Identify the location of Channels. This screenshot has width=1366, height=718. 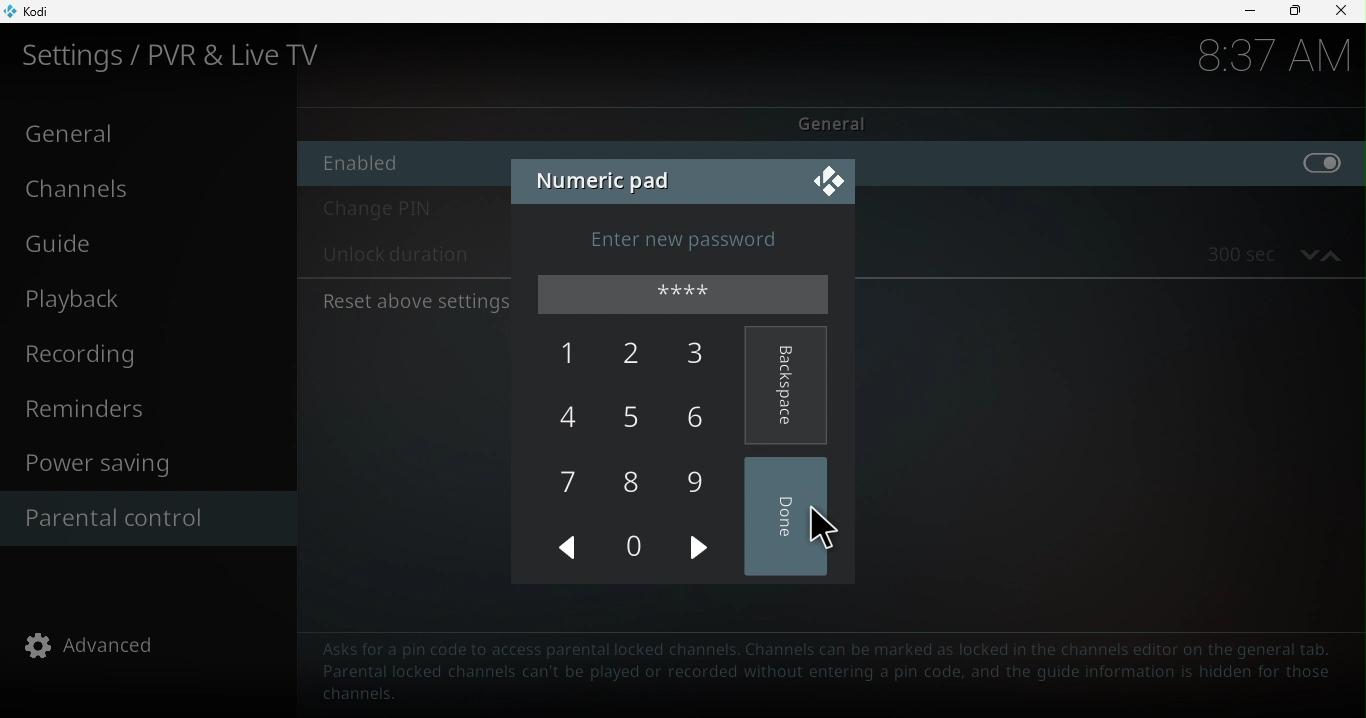
(142, 187).